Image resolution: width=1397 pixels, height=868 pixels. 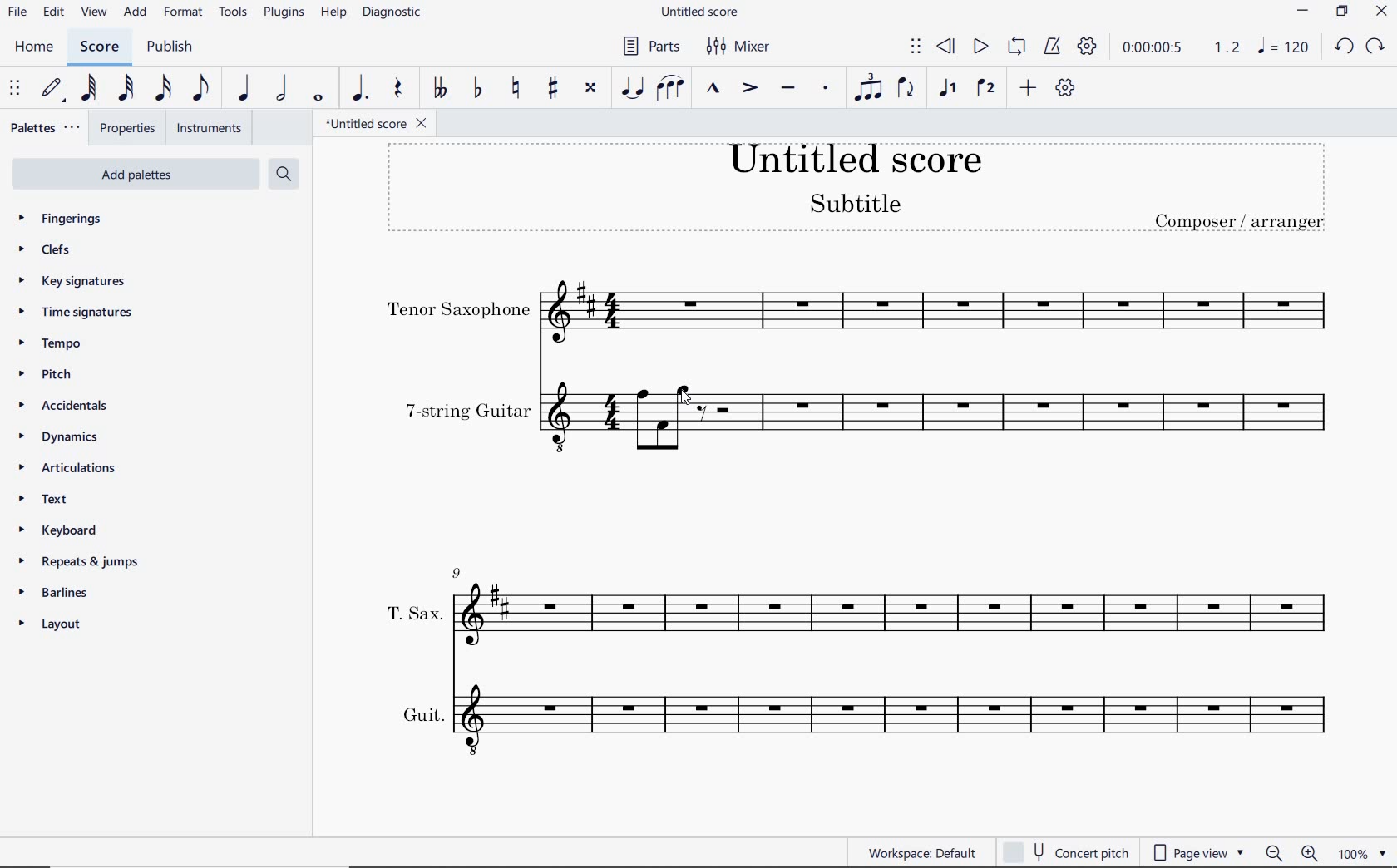 I want to click on TEMPO, so click(x=54, y=343).